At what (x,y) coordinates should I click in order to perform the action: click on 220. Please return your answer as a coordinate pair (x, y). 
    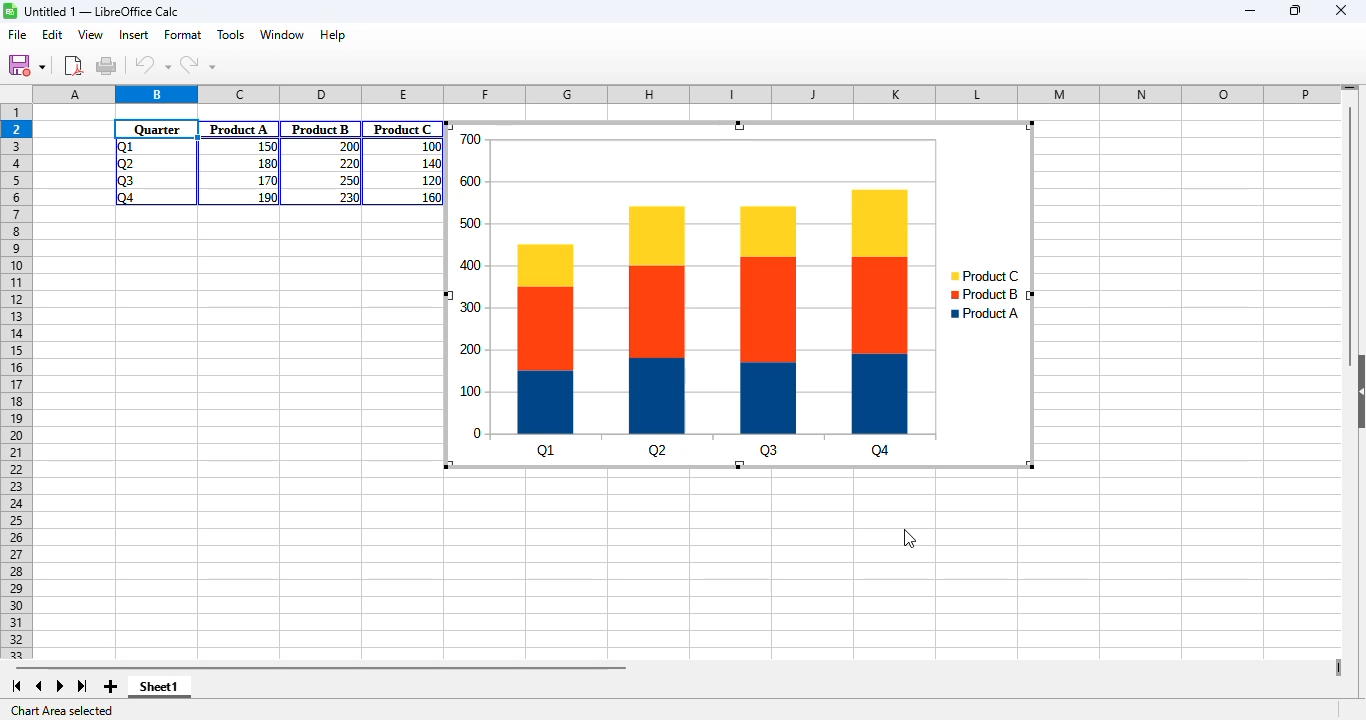
    Looking at the image, I should click on (347, 164).